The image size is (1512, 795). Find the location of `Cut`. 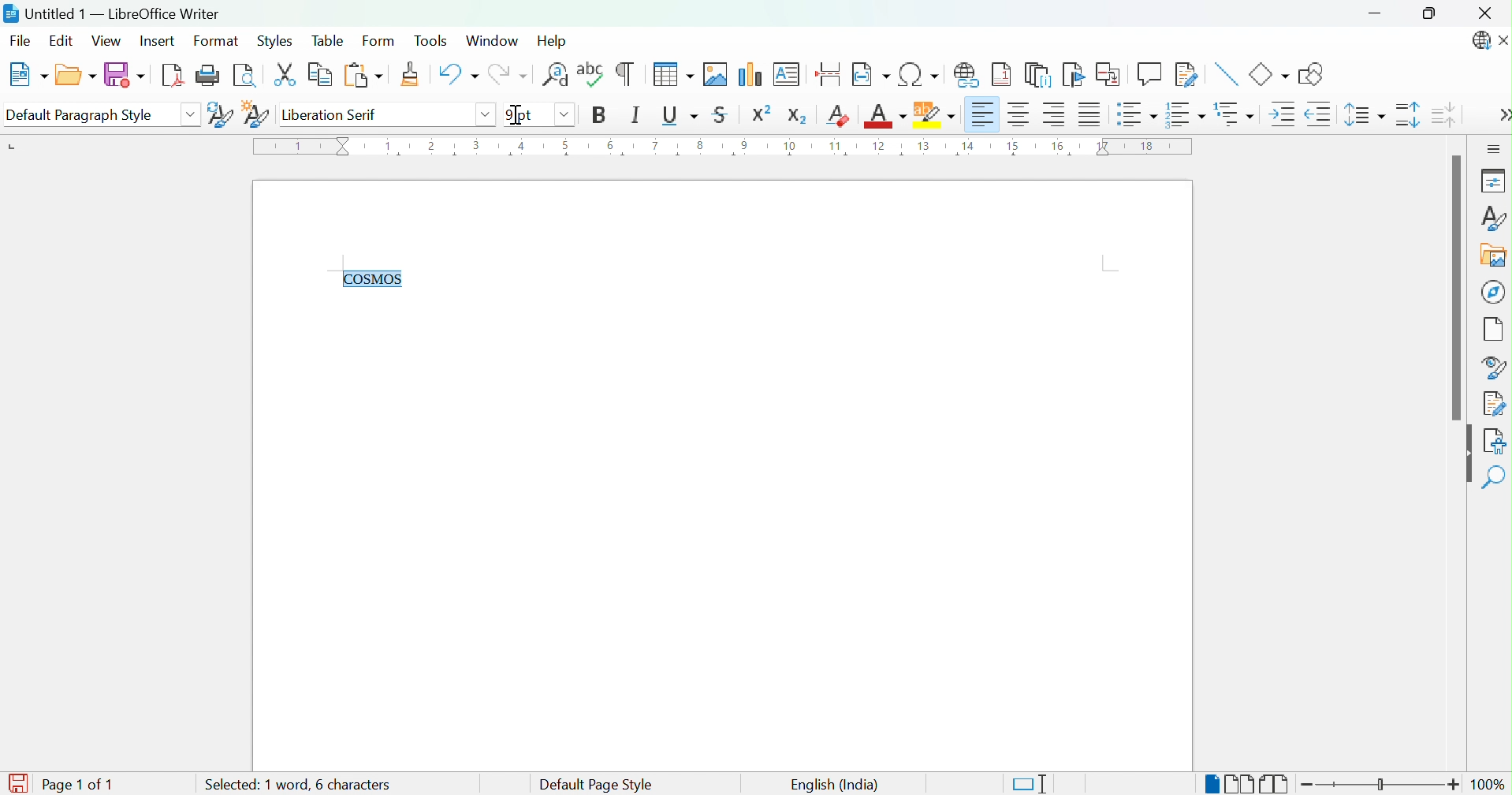

Cut is located at coordinates (285, 75).